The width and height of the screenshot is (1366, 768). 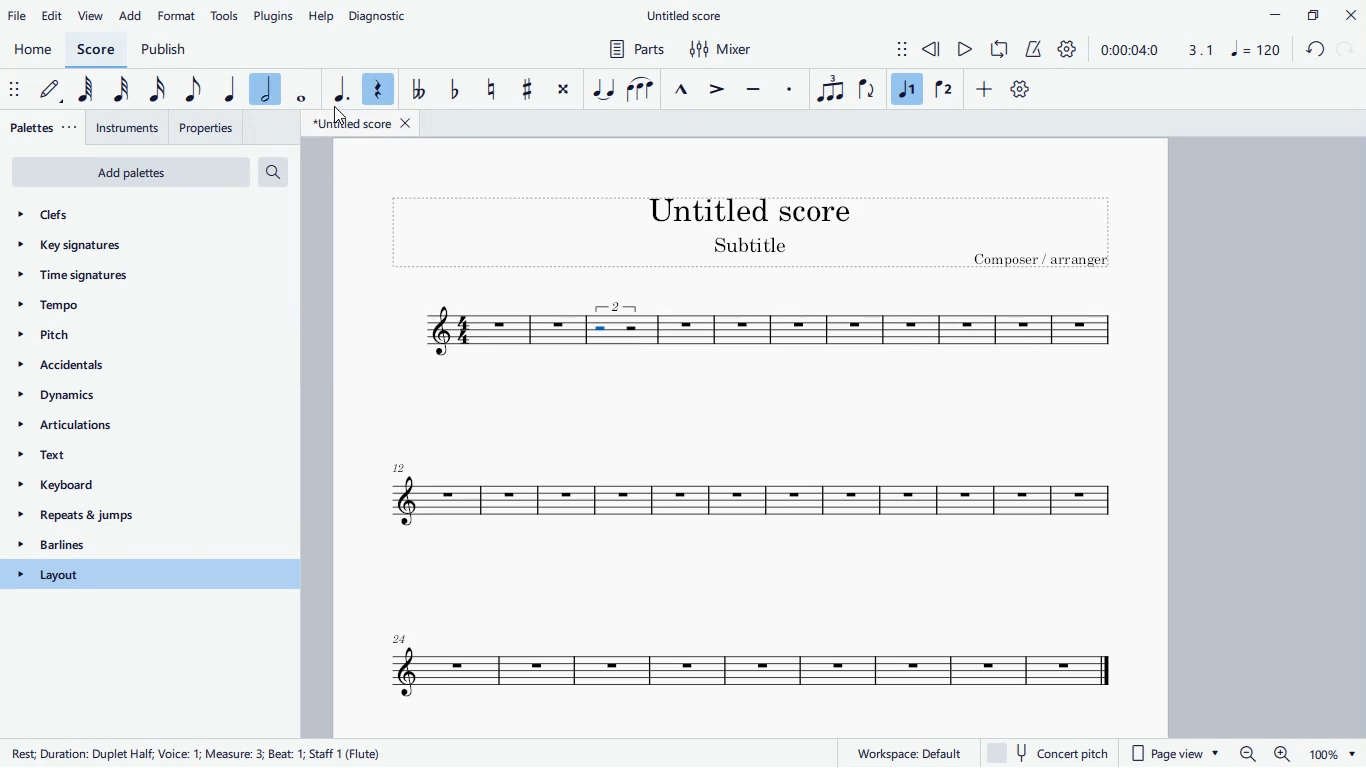 I want to click on parts, so click(x=633, y=51).